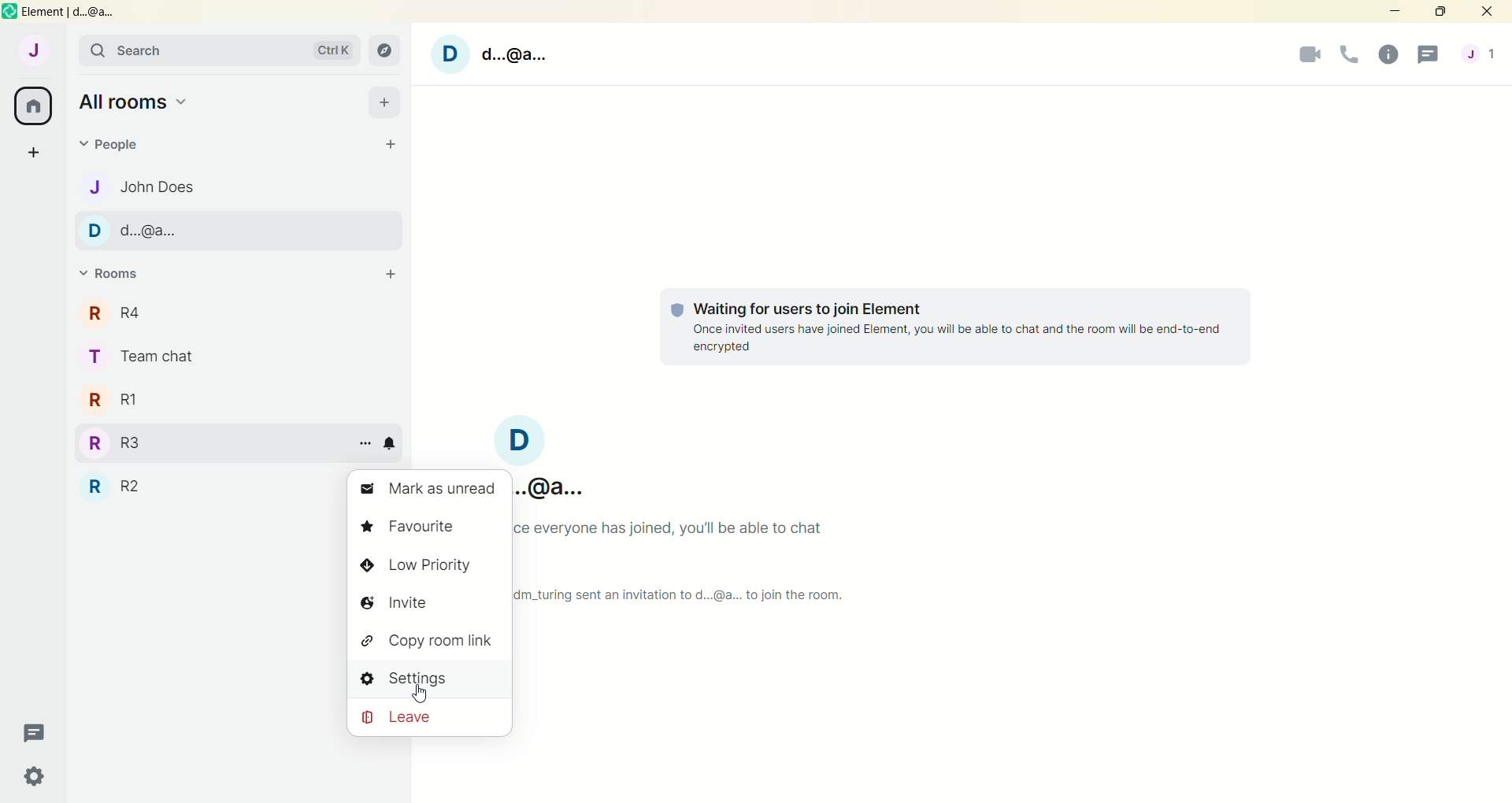 This screenshot has width=1512, height=803. Describe the element at coordinates (428, 676) in the screenshot. I see `settings` at that location.